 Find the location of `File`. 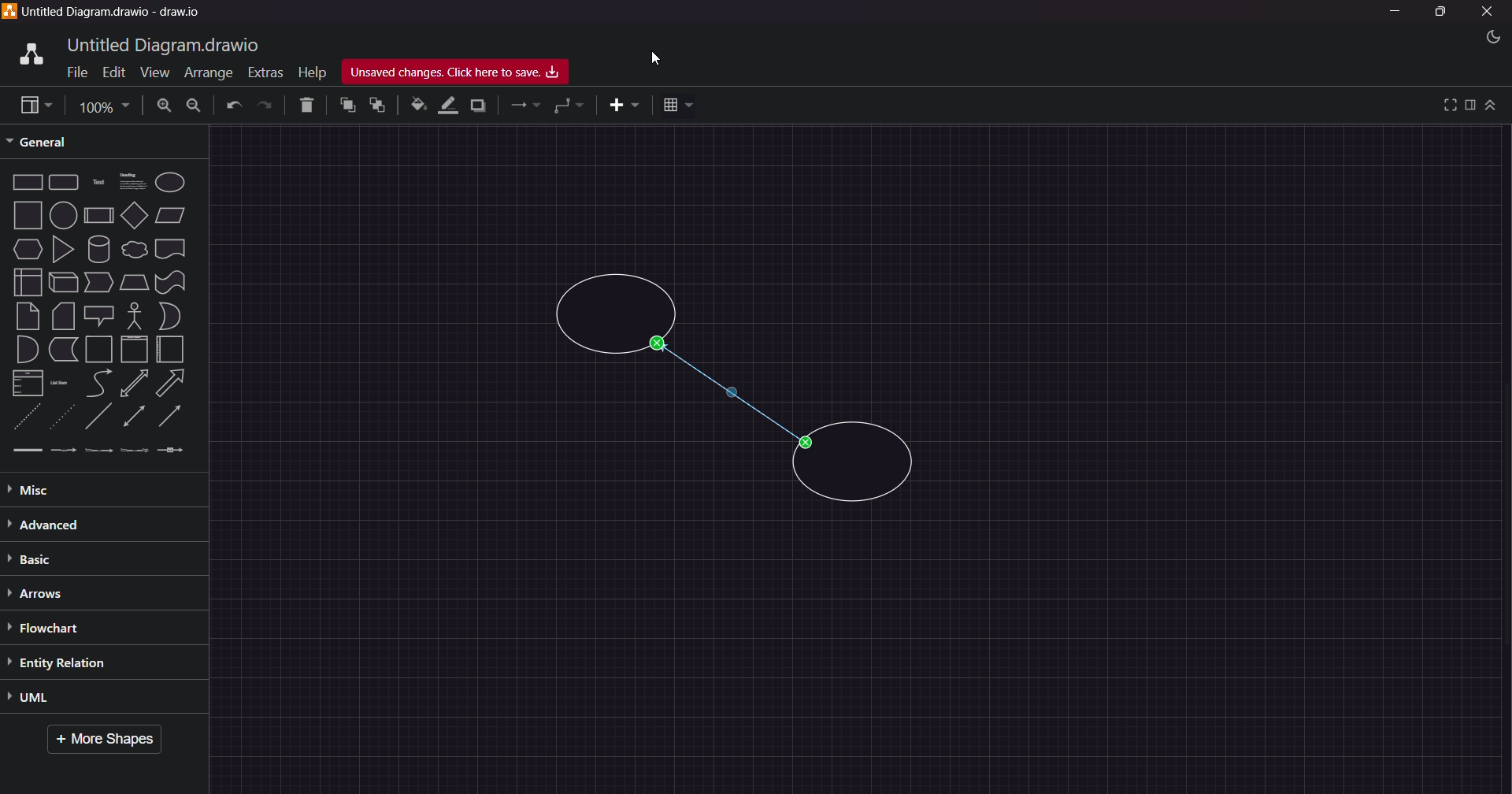

File is located at coordinates (74, 73).